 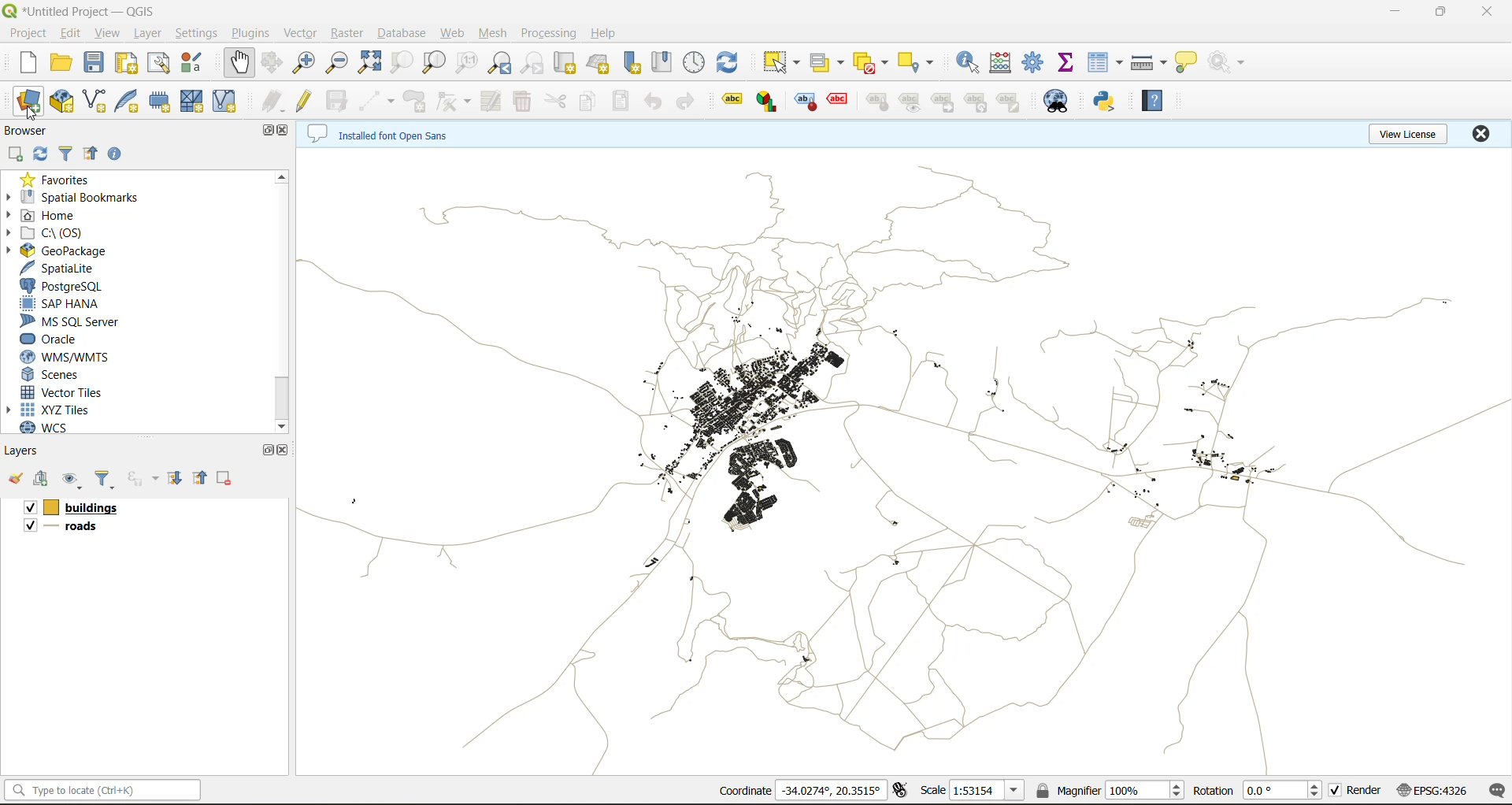 I want to click on zoom native, so click(x=467, y=65).